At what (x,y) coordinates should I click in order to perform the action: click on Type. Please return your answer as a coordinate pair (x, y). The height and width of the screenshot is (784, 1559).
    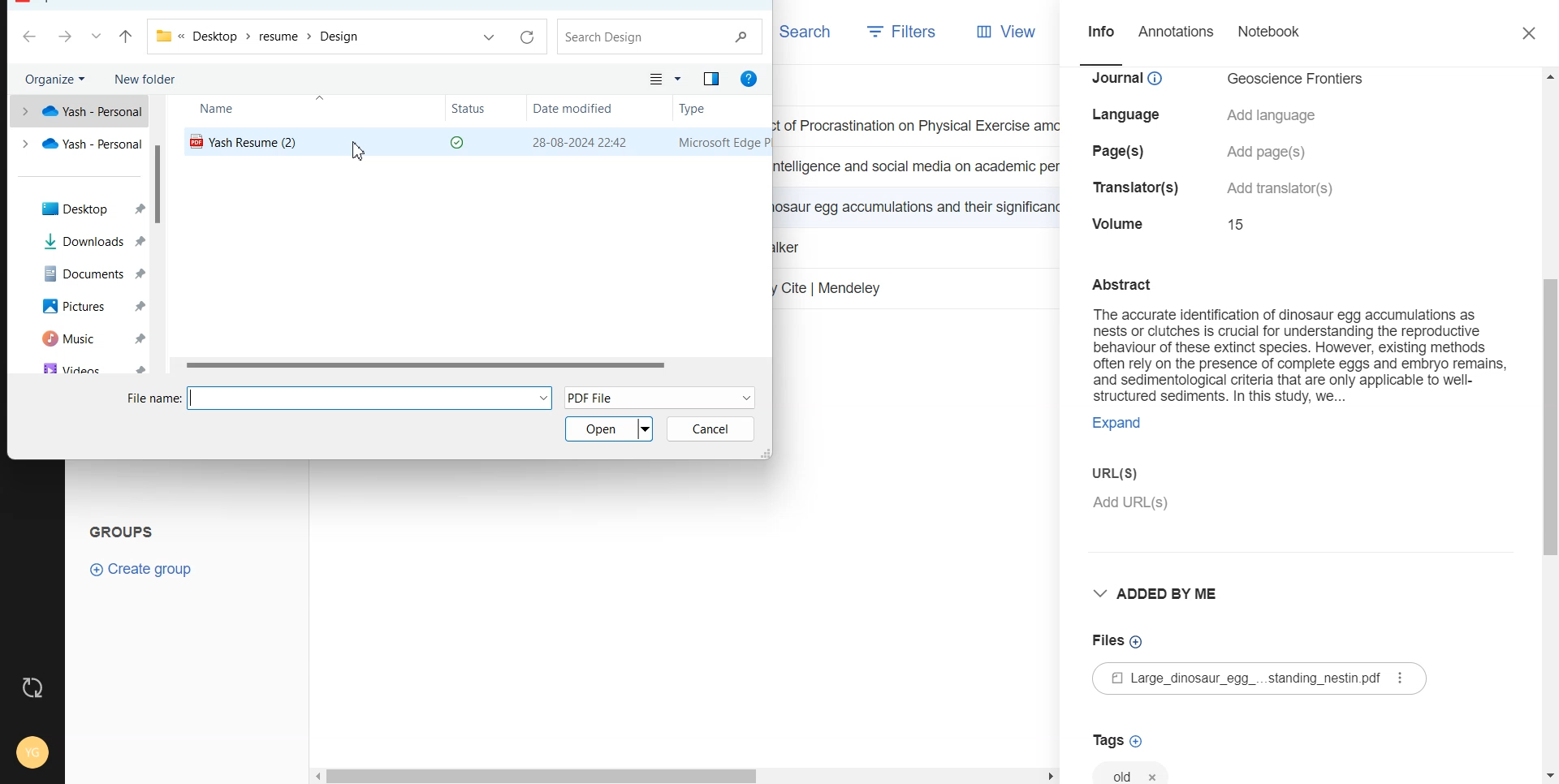
    Looking at the image, I should click on (724, 142).